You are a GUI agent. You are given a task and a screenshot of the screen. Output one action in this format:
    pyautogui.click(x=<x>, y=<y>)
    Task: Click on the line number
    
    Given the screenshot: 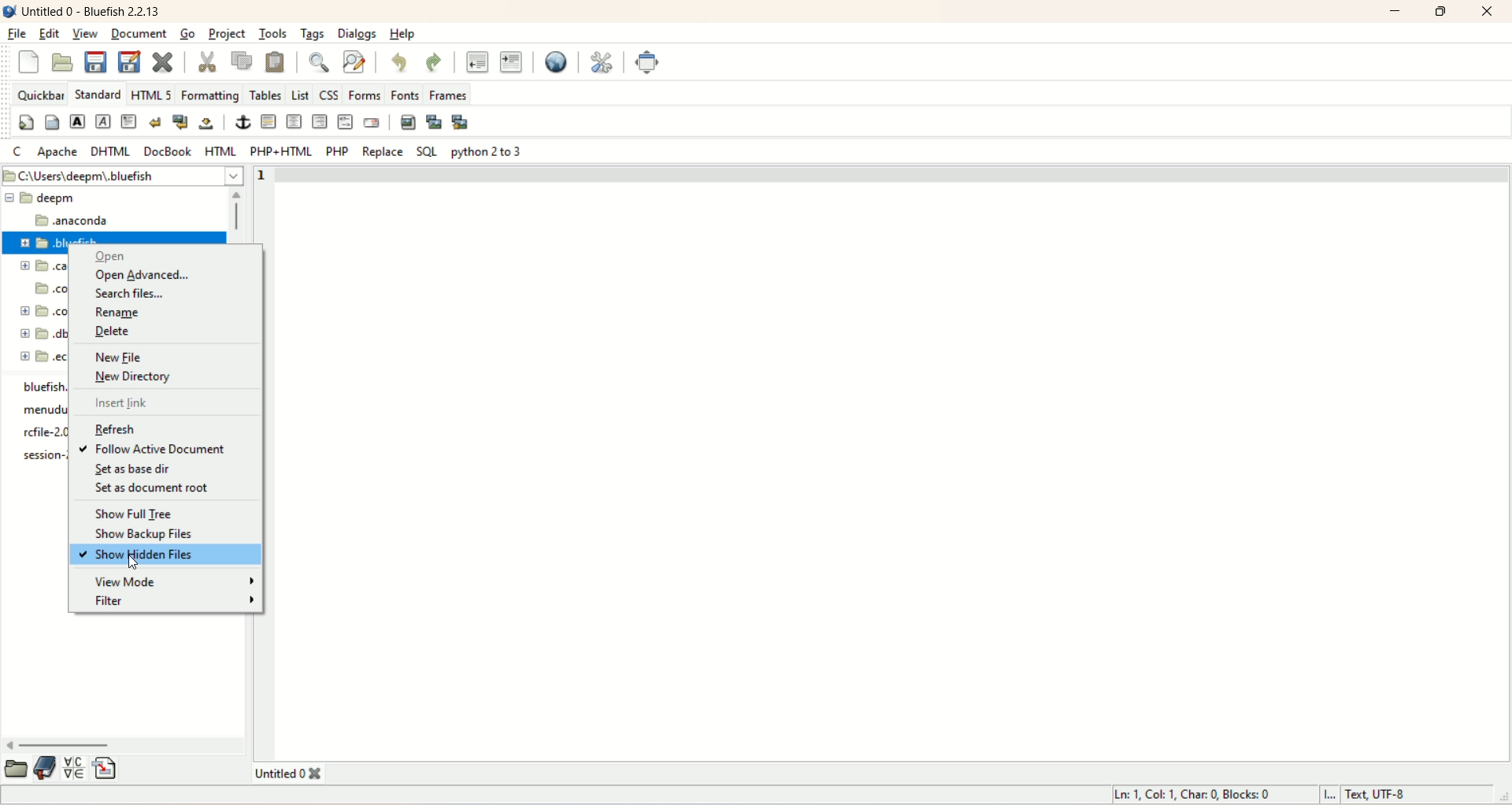 What is the action you would take?
    pyautogui.click(x=260, y=176)
    